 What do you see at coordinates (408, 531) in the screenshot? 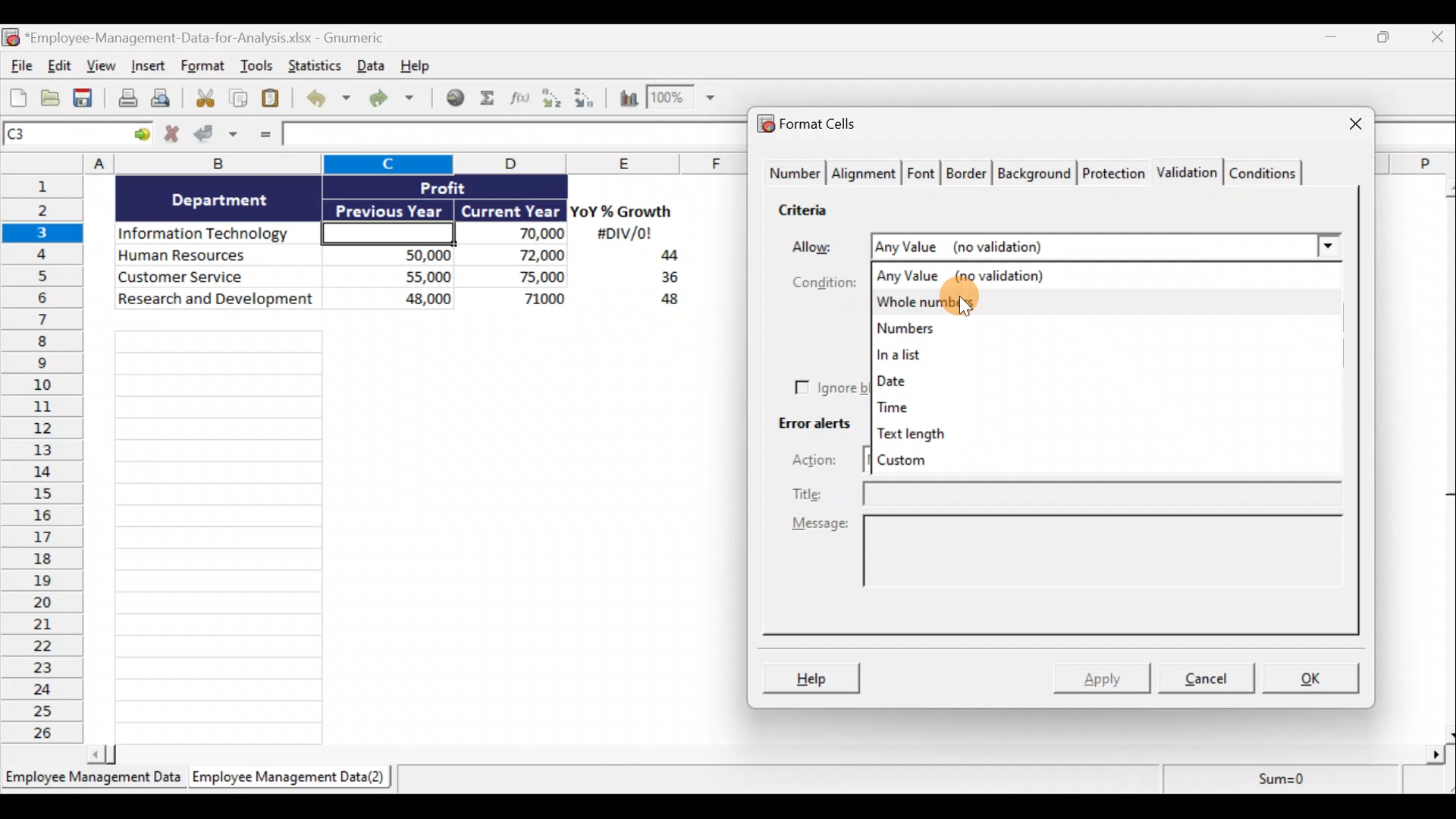
I see `Cells` at bounding box center [408, 531].